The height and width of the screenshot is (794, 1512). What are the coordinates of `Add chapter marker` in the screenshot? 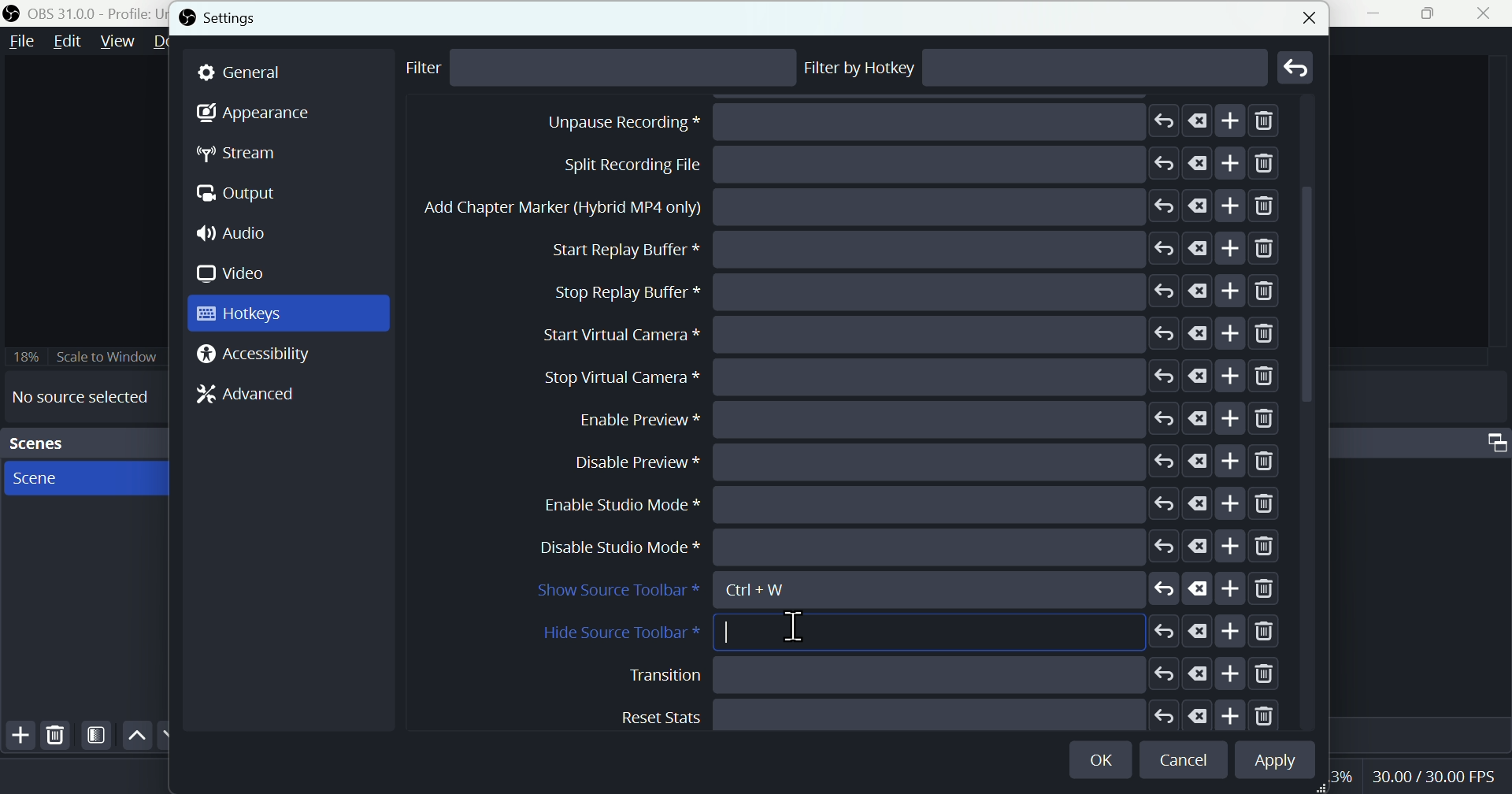 It's located at (915, 377).